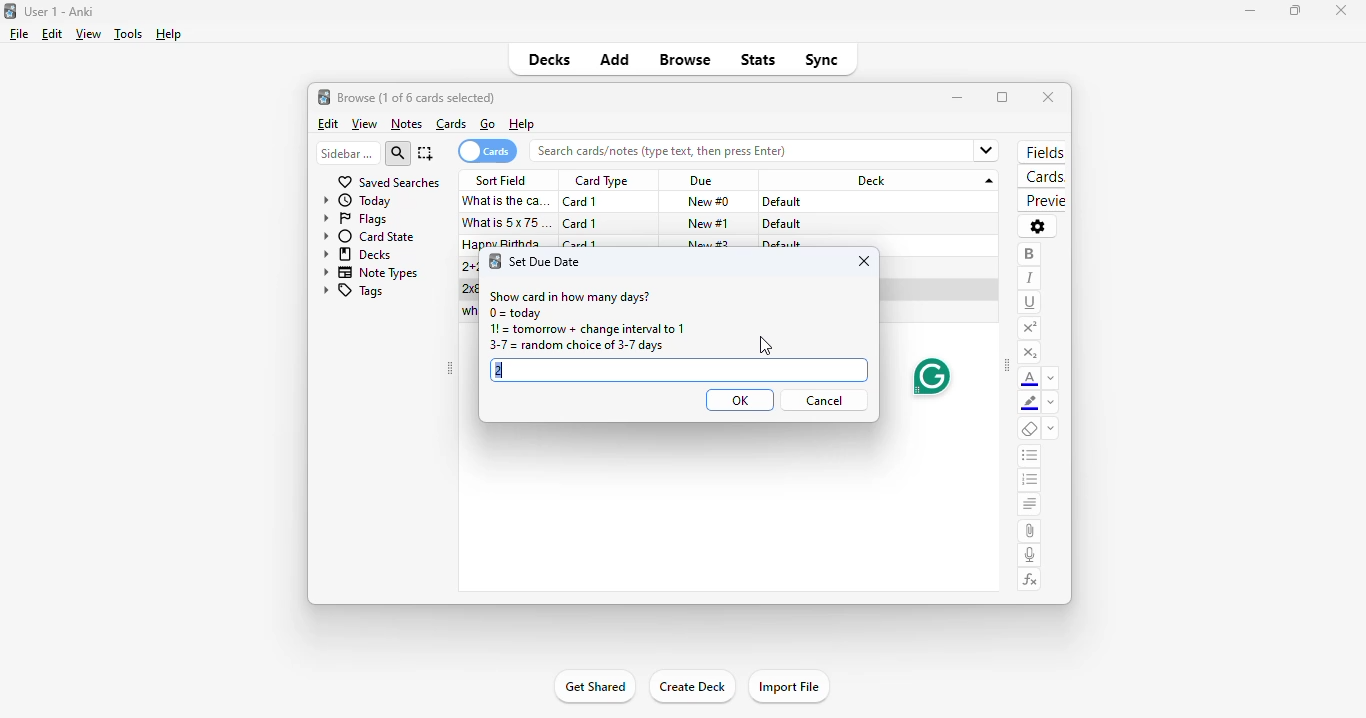 The height and width of the screenshot is (718, 1366). I want to click on help, so click(168, 34).